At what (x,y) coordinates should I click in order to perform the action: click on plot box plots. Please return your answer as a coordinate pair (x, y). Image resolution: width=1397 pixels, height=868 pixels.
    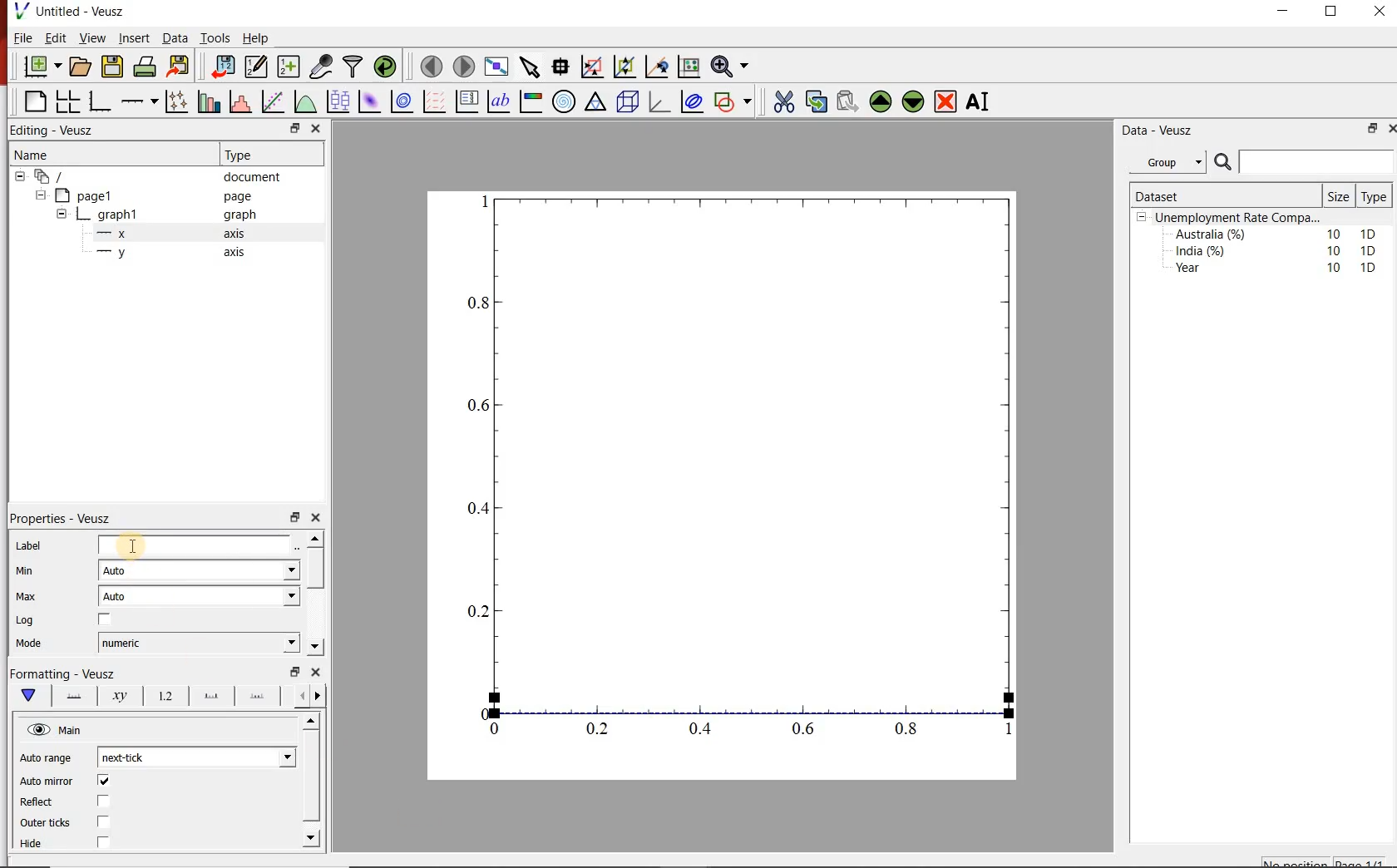
    Looking at the image, I should click on (338, 101).